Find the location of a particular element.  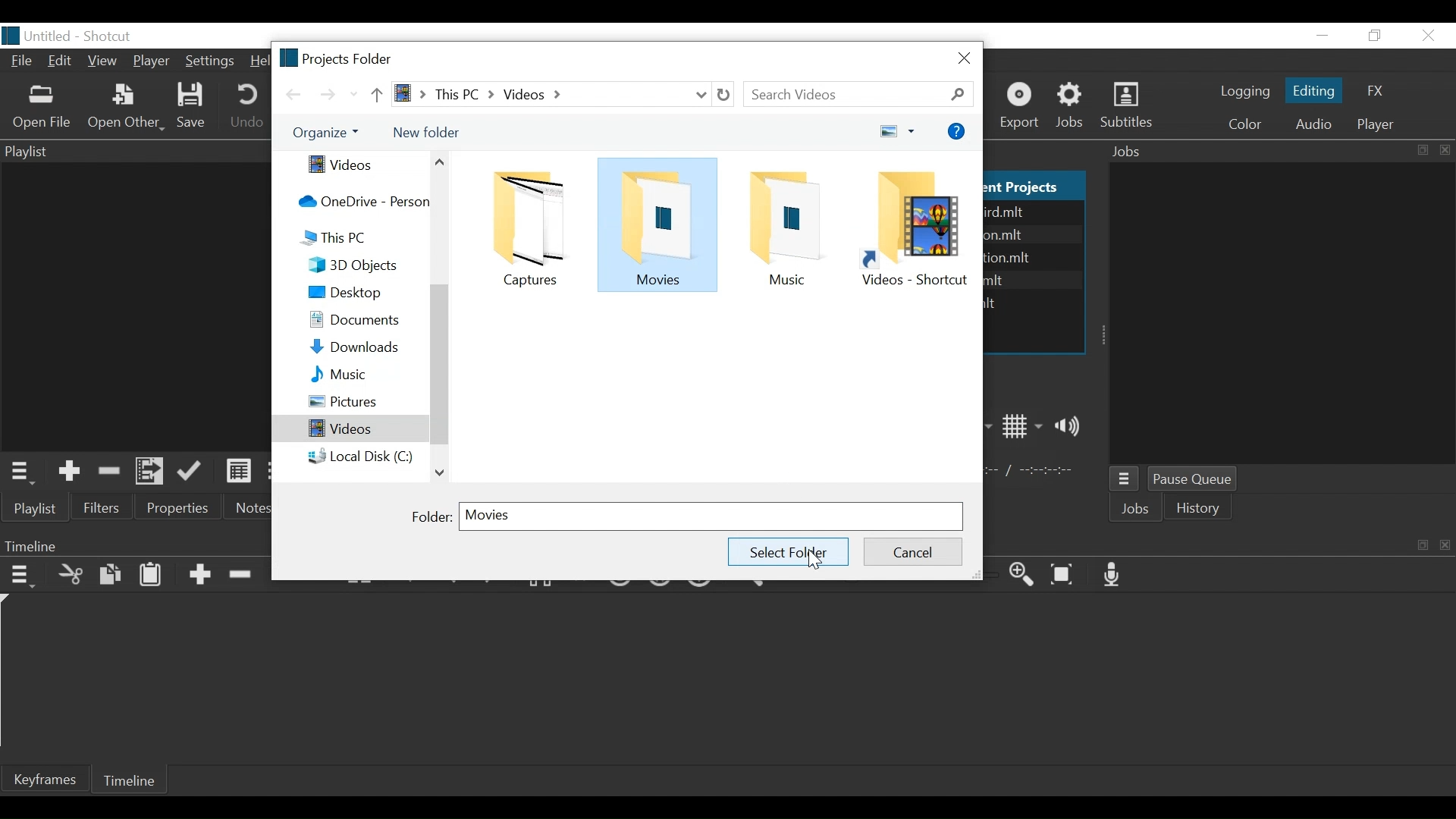

Project Folder is located at coordinates (340, 58).